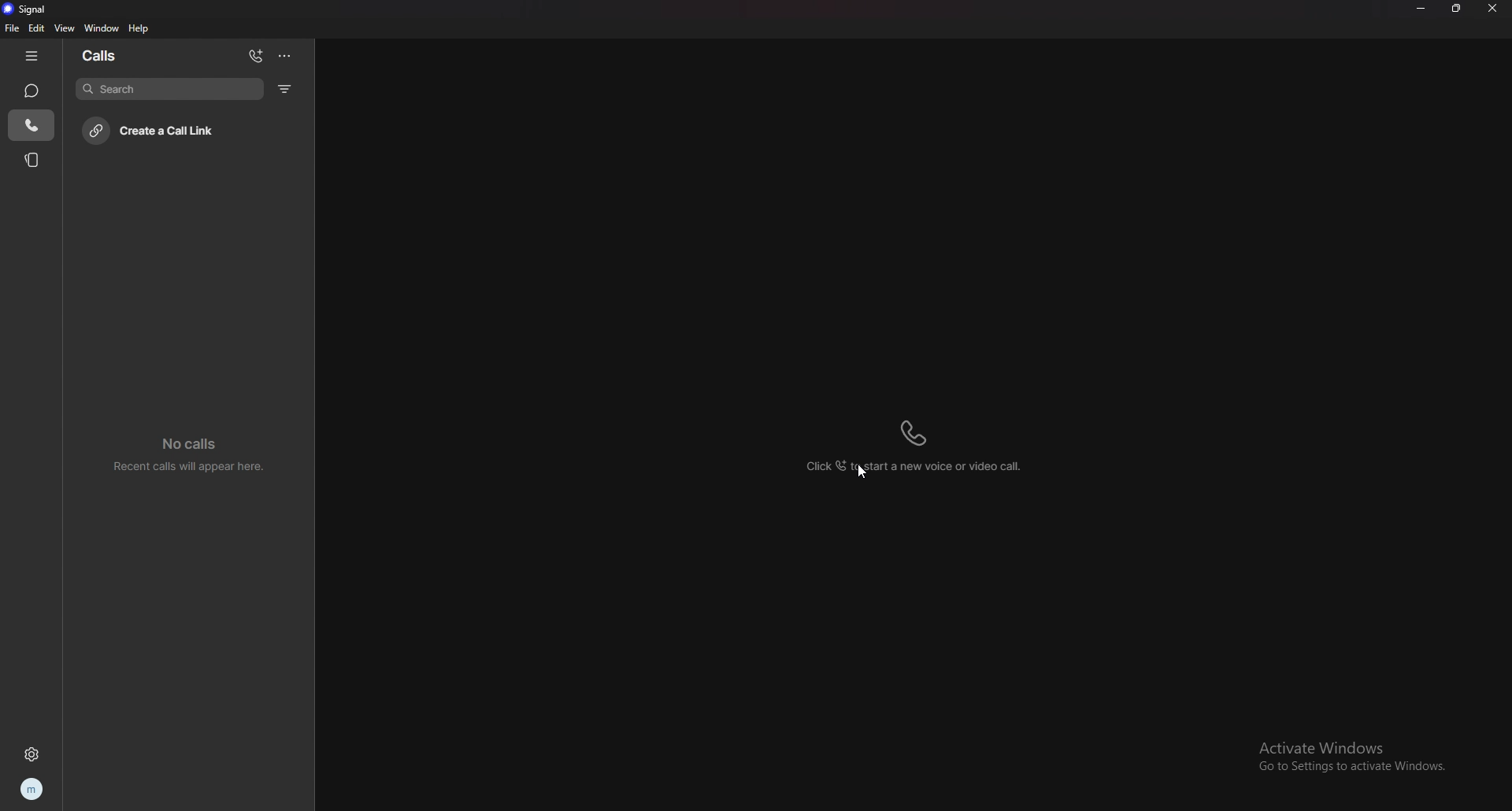  I want to click on calls, so click(112, 57).